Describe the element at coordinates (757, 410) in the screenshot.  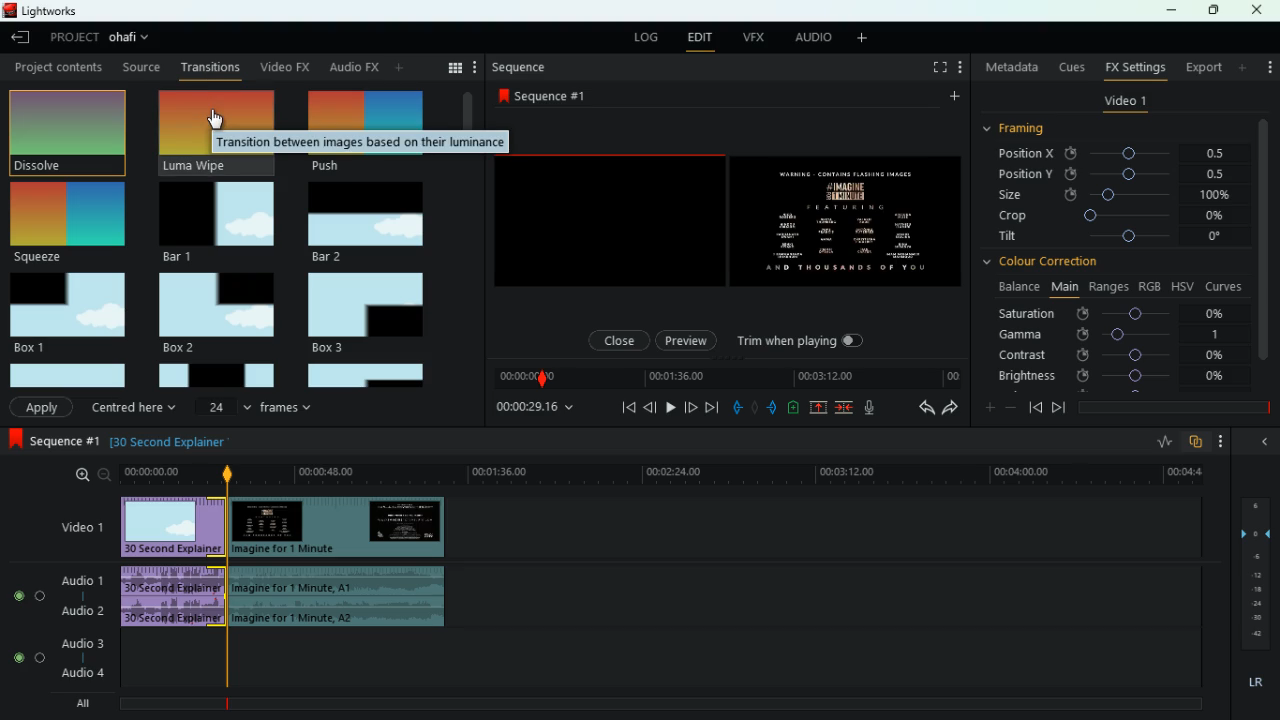
I see `hold` at that location.